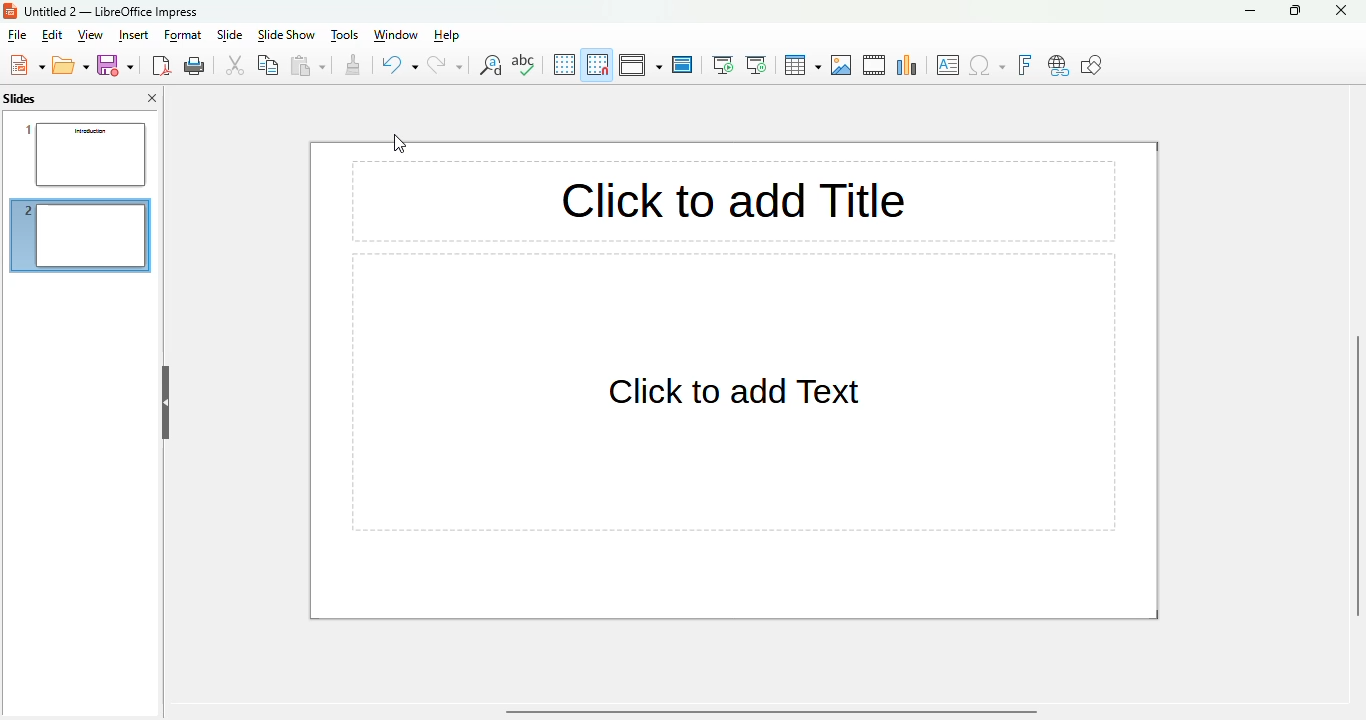 This screenshot has height=720, width=1366. Describe the element at coordinates (353, 65) in the screenshot. I see `clone formatting` at that location.